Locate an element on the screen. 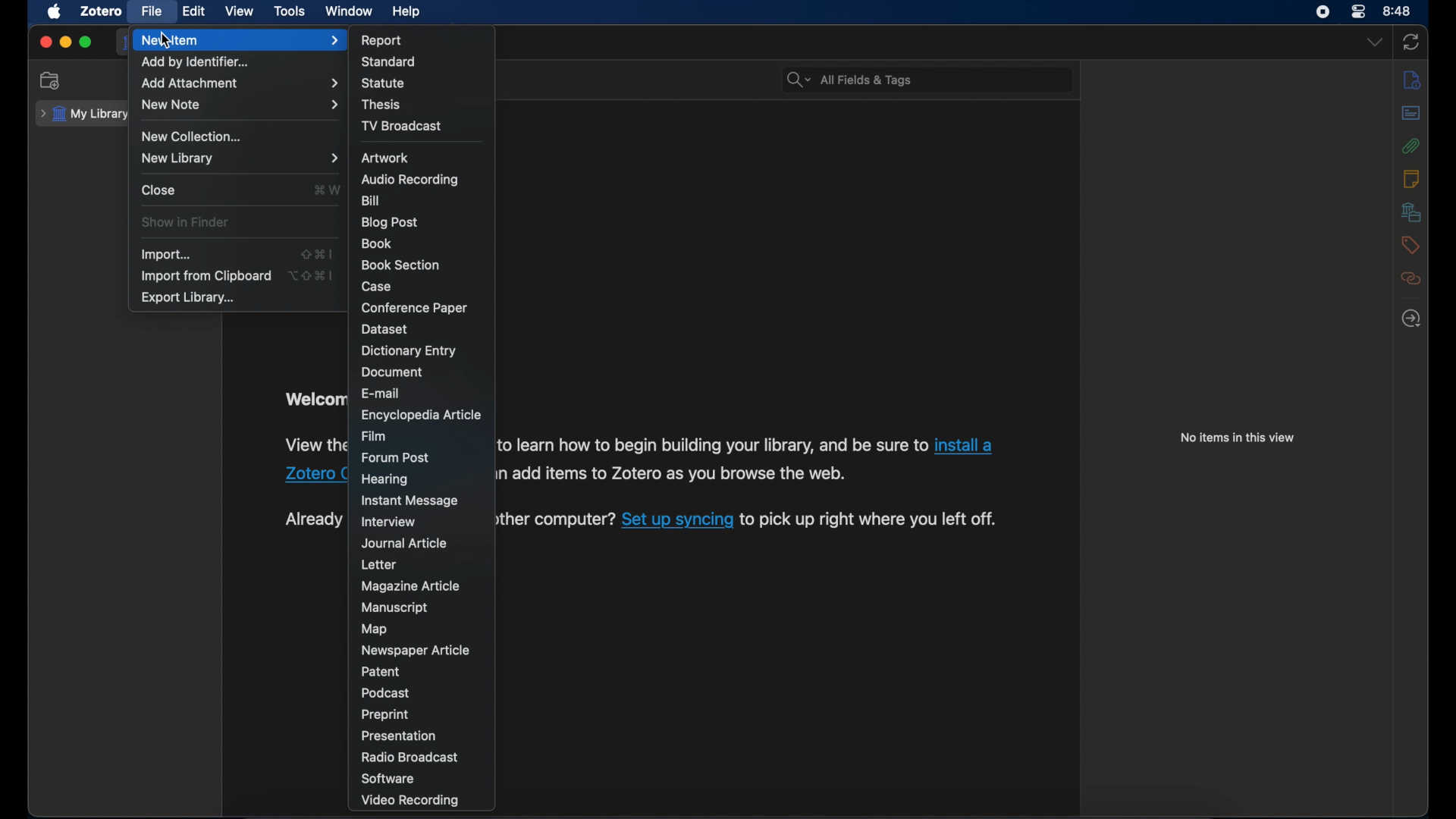 This screenshot has width=1456, height=819. dataset is located at coordinates (384, 330).